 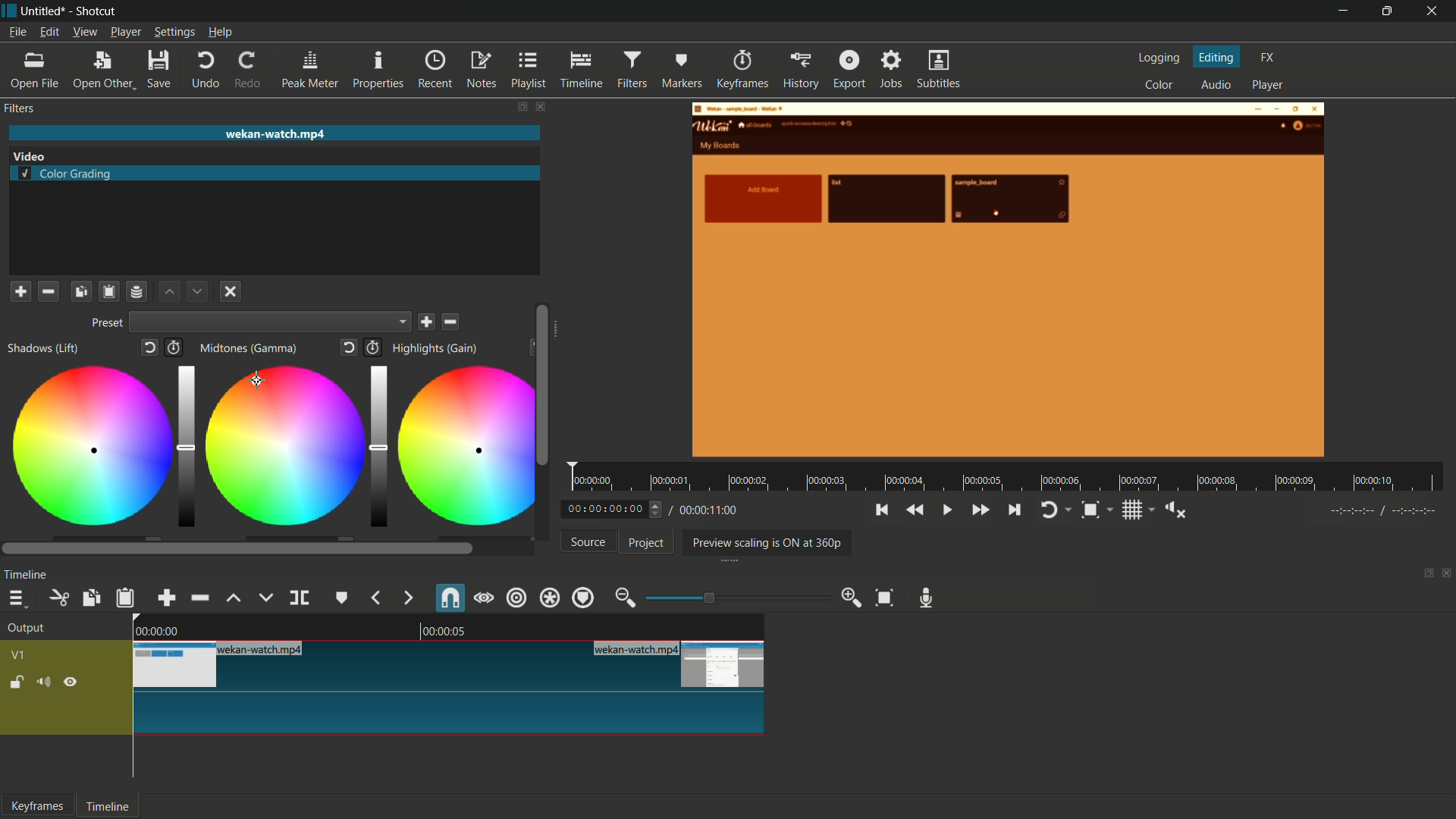 I want to click on undo, so click(x=206, y=70).